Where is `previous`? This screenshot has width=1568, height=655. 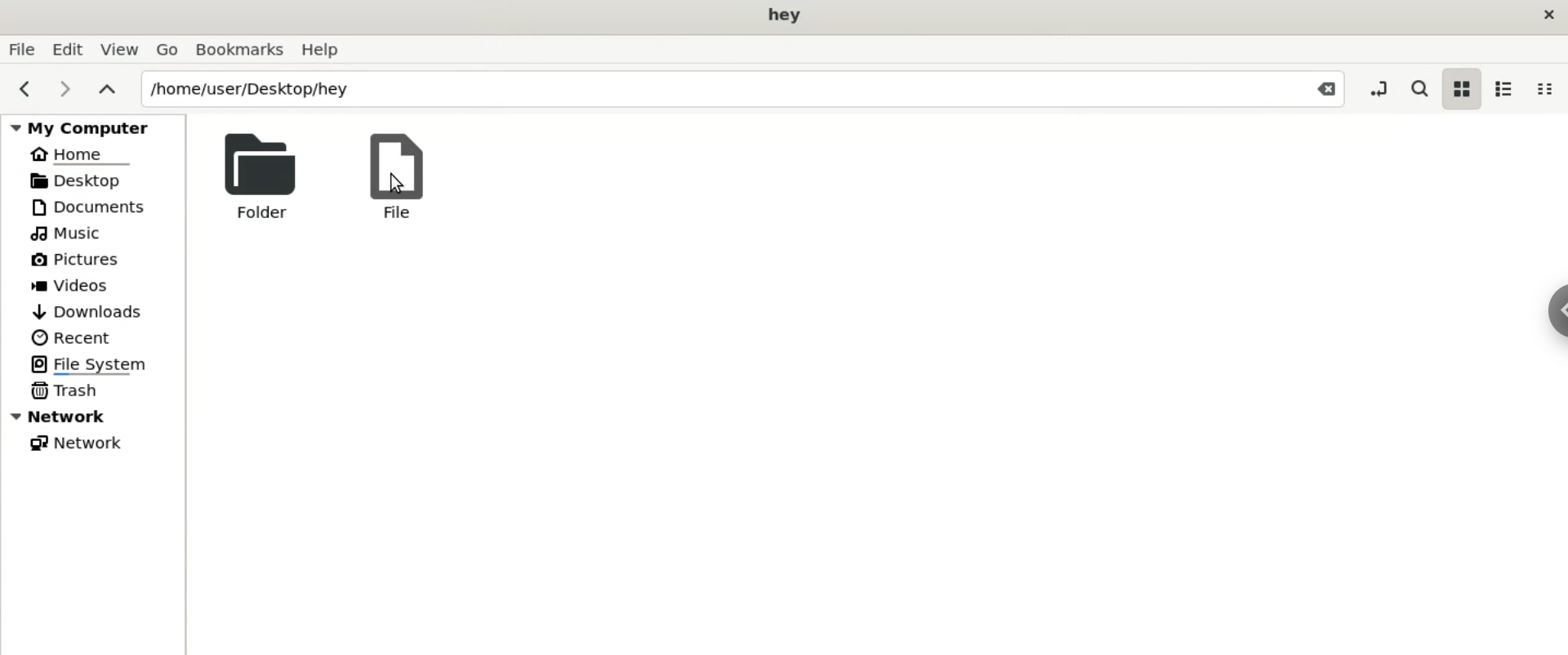 previous is located at coordinates (21, 88).